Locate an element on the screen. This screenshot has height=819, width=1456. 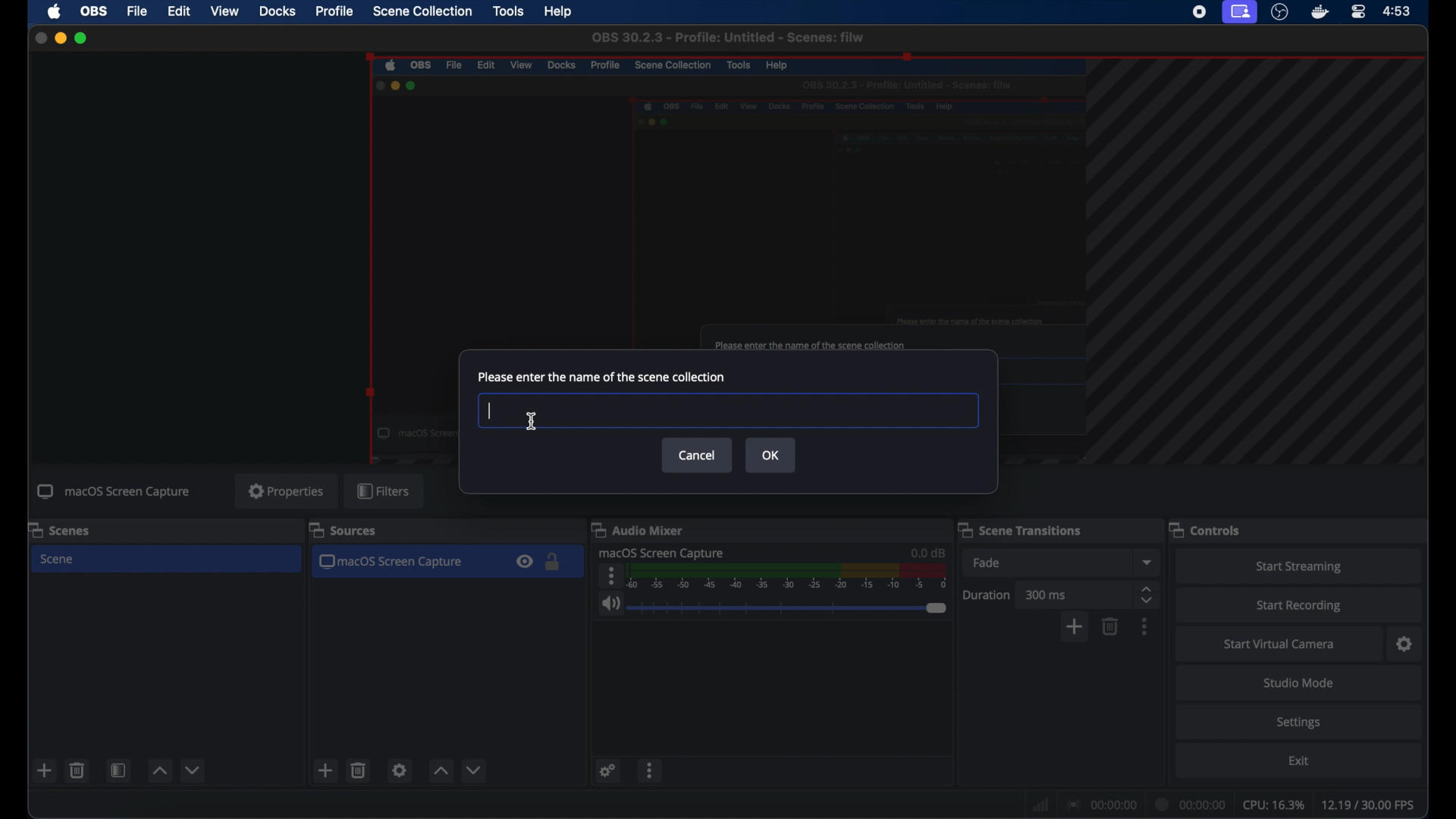
stepper button is located at coordinates (1147, 594).